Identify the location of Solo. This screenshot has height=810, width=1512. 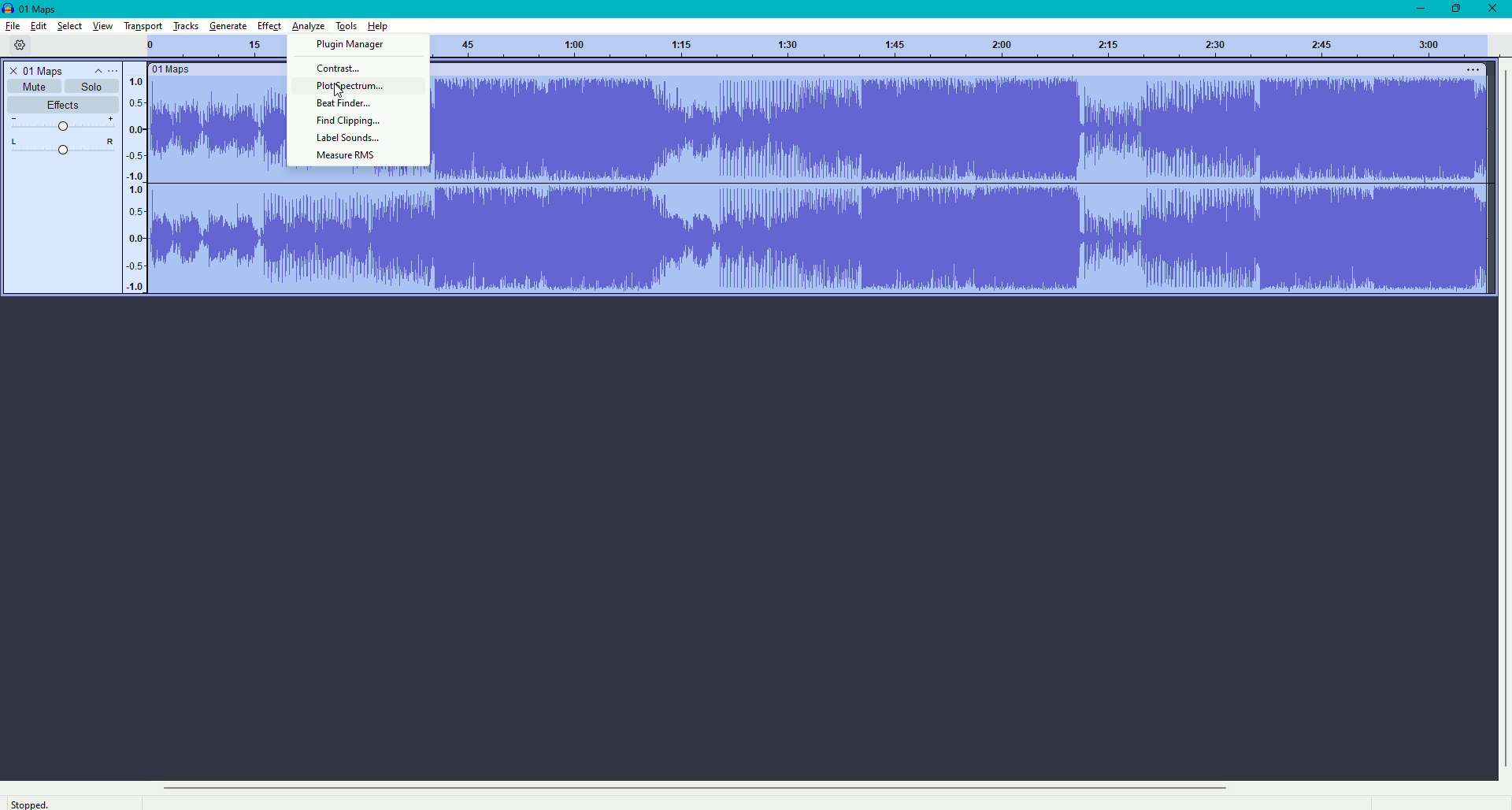
(91, 87).